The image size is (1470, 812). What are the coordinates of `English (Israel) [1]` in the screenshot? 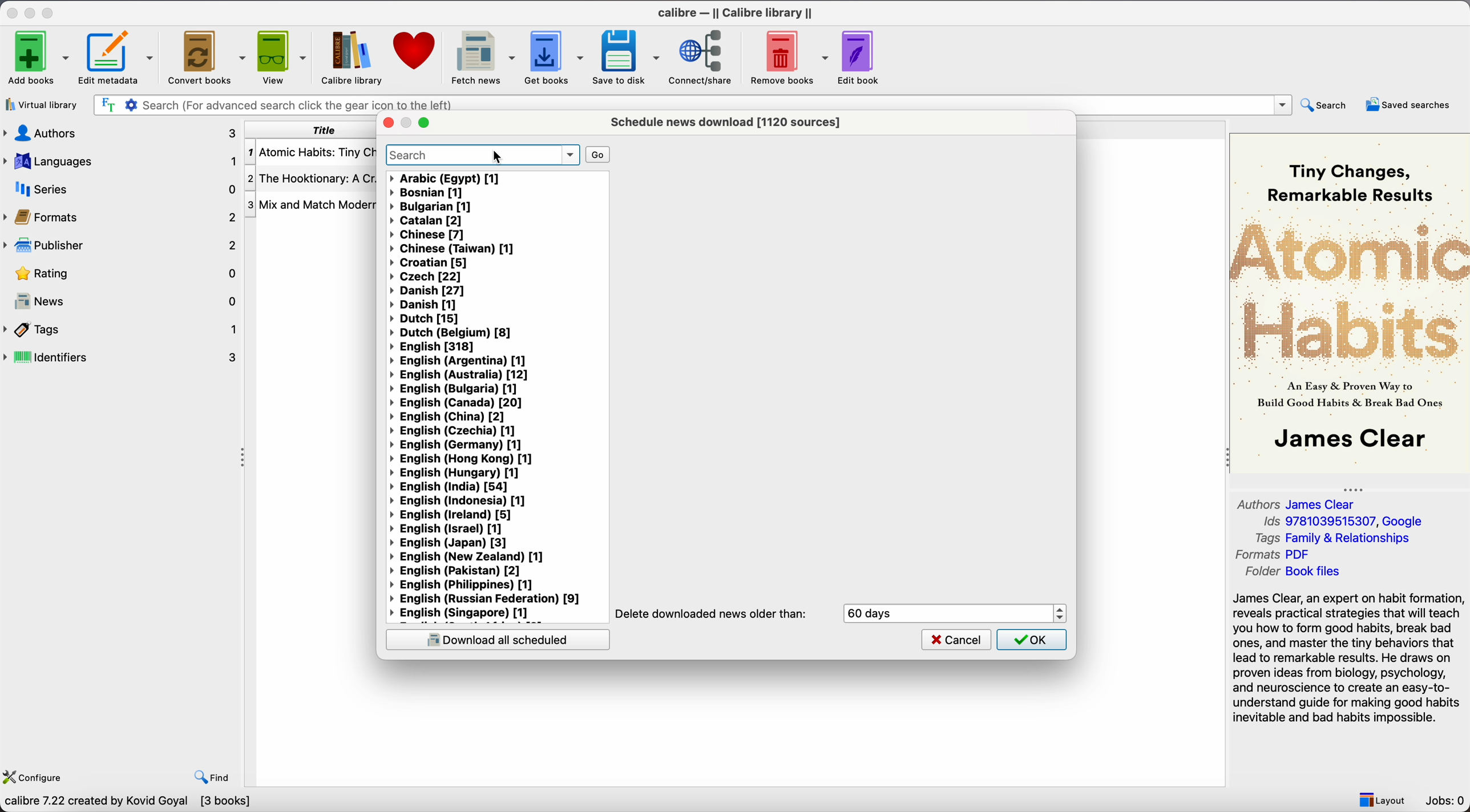 It's located at (446, 529).